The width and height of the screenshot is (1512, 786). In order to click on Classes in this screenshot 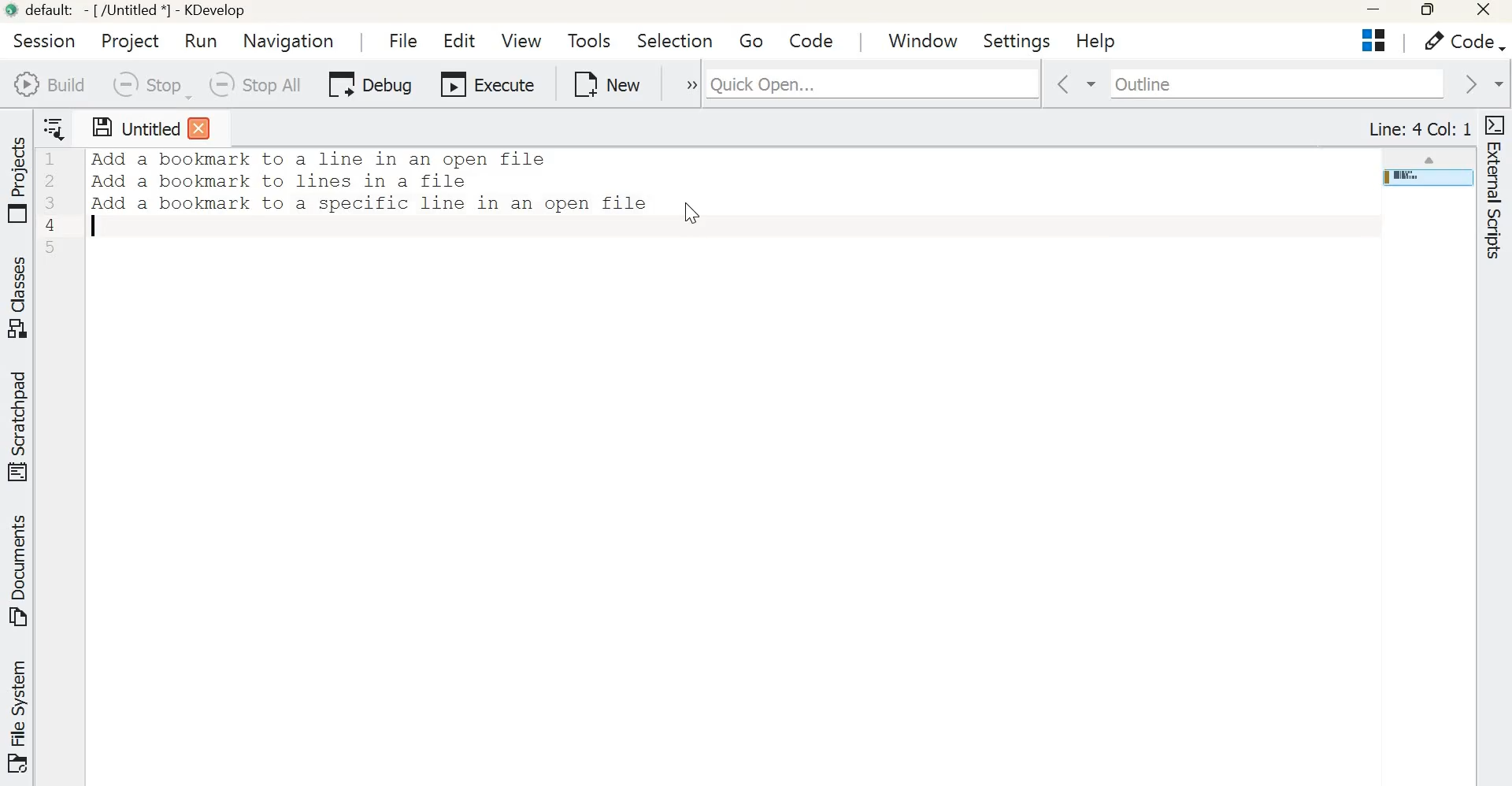, I will do `click(20, 299)`.